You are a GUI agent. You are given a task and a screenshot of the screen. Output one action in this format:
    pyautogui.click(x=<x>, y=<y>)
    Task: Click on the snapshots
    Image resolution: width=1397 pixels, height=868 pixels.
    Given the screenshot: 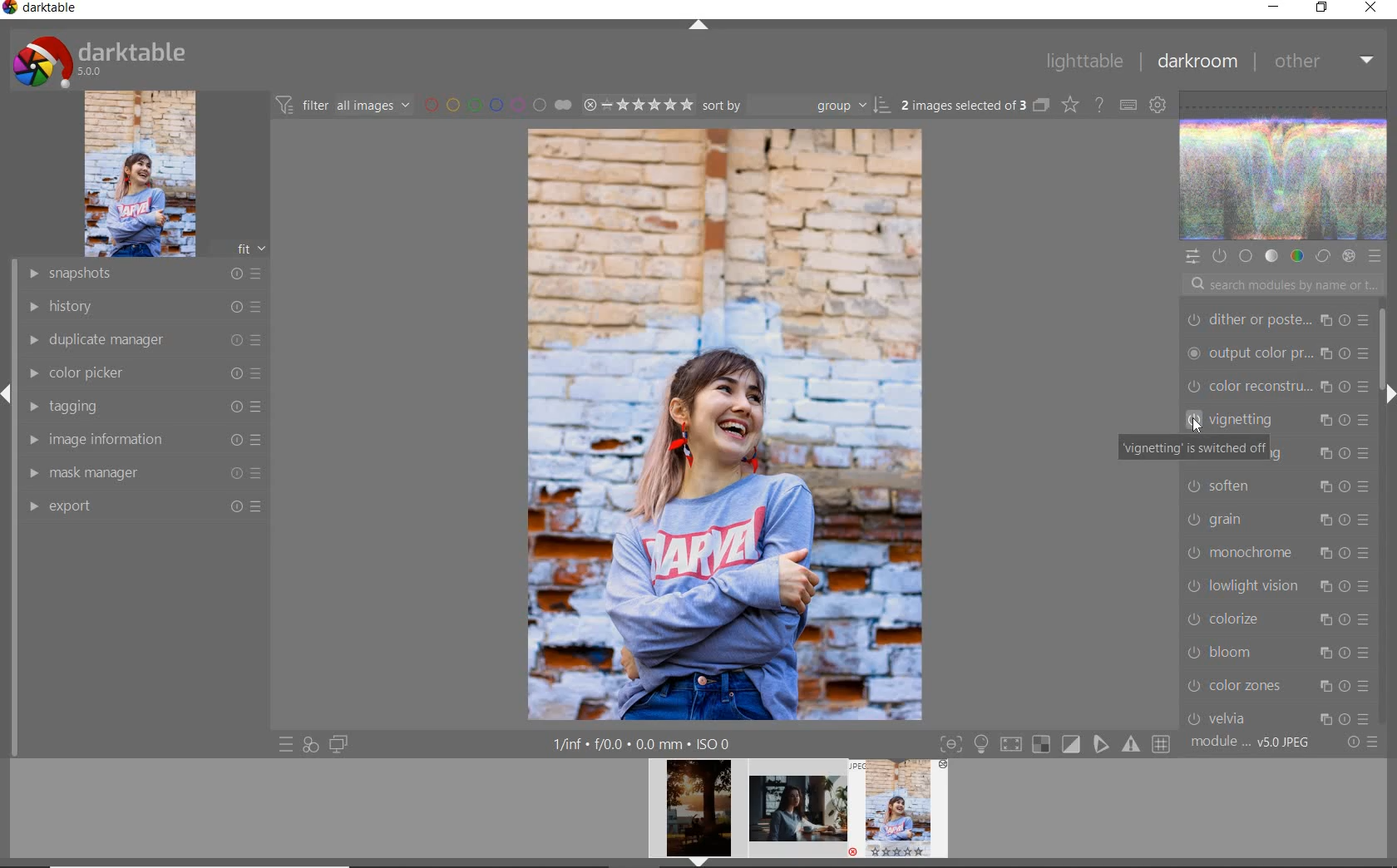 What is the action you would take?
    pyautogui.click(x=143, y=274)
    